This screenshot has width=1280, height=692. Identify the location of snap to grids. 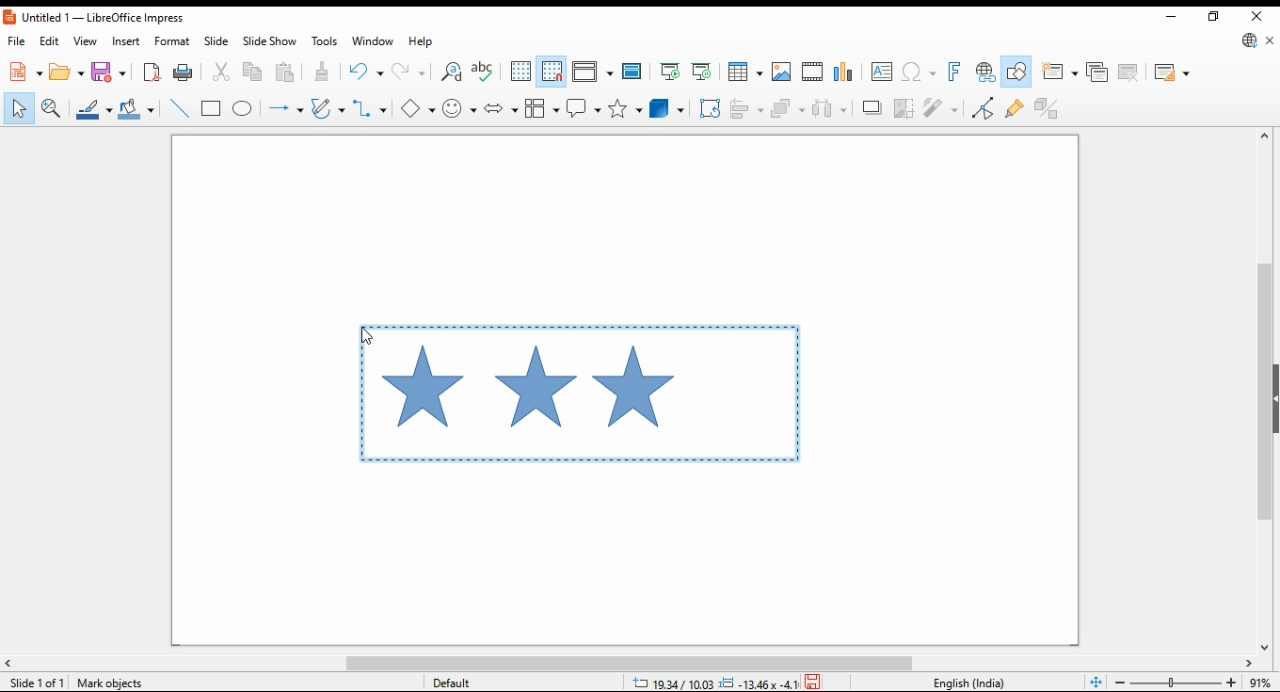
(552, 73).